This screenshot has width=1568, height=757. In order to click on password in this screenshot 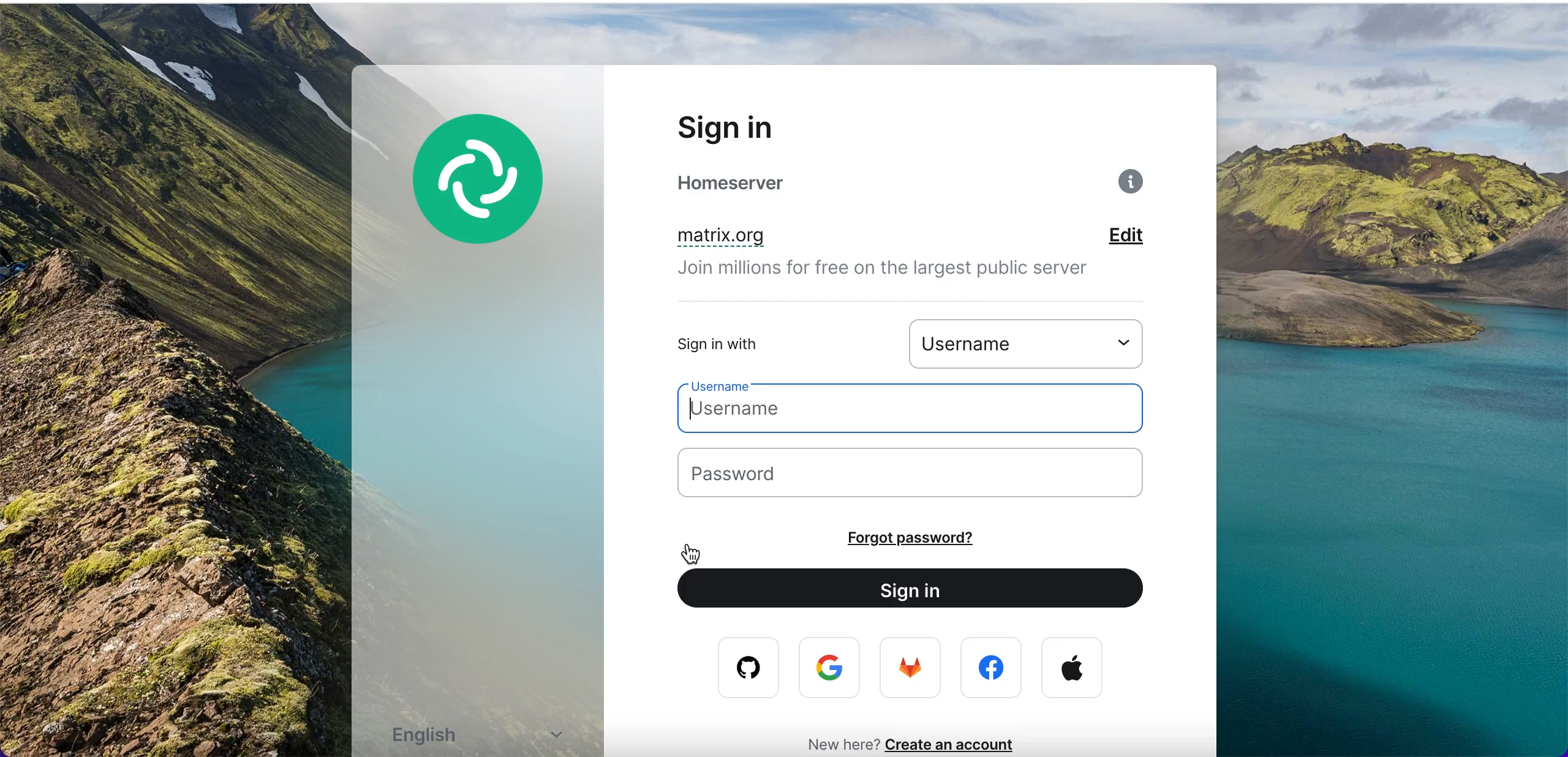, I will do `click(927, 475)`.